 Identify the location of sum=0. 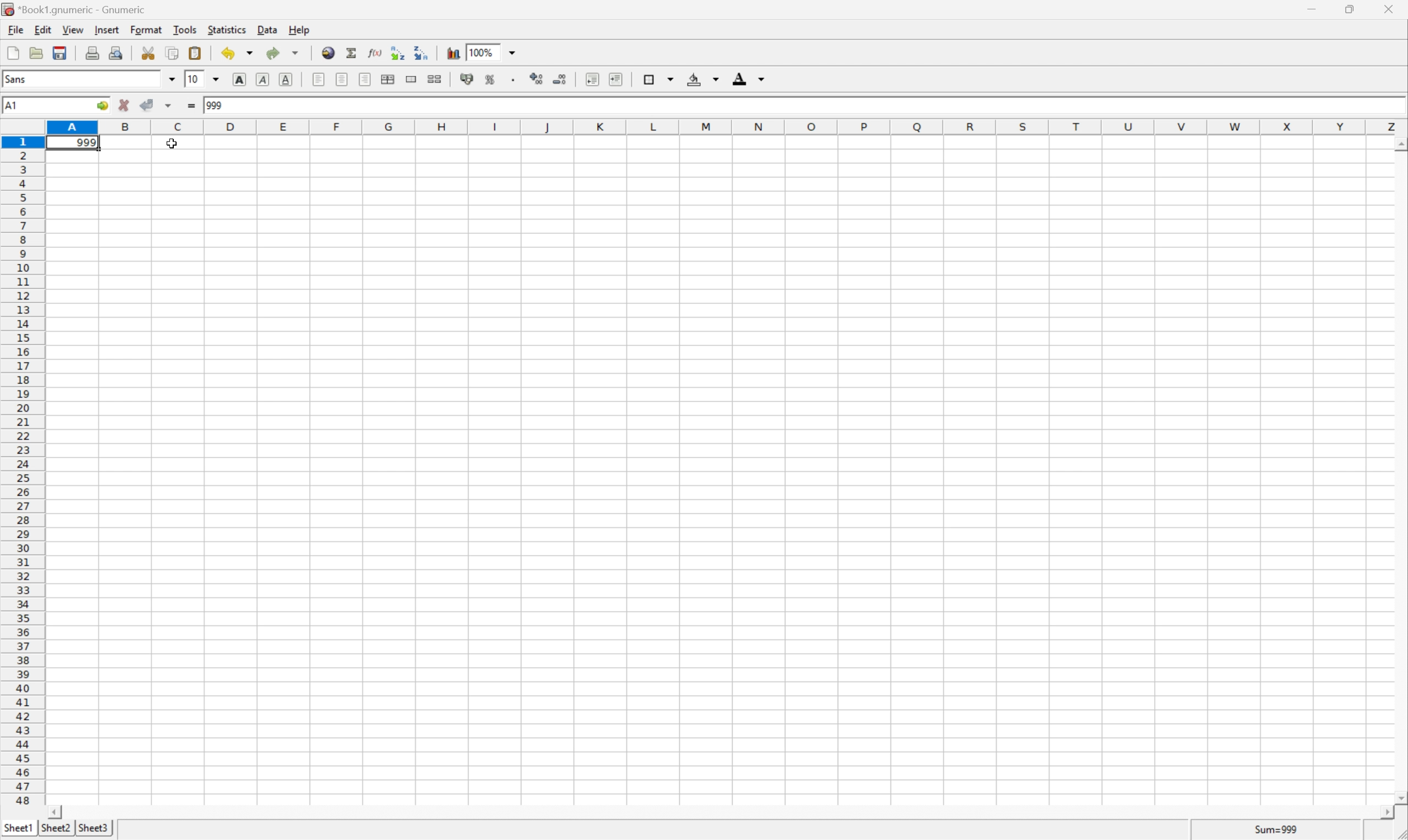
(1277, 828).